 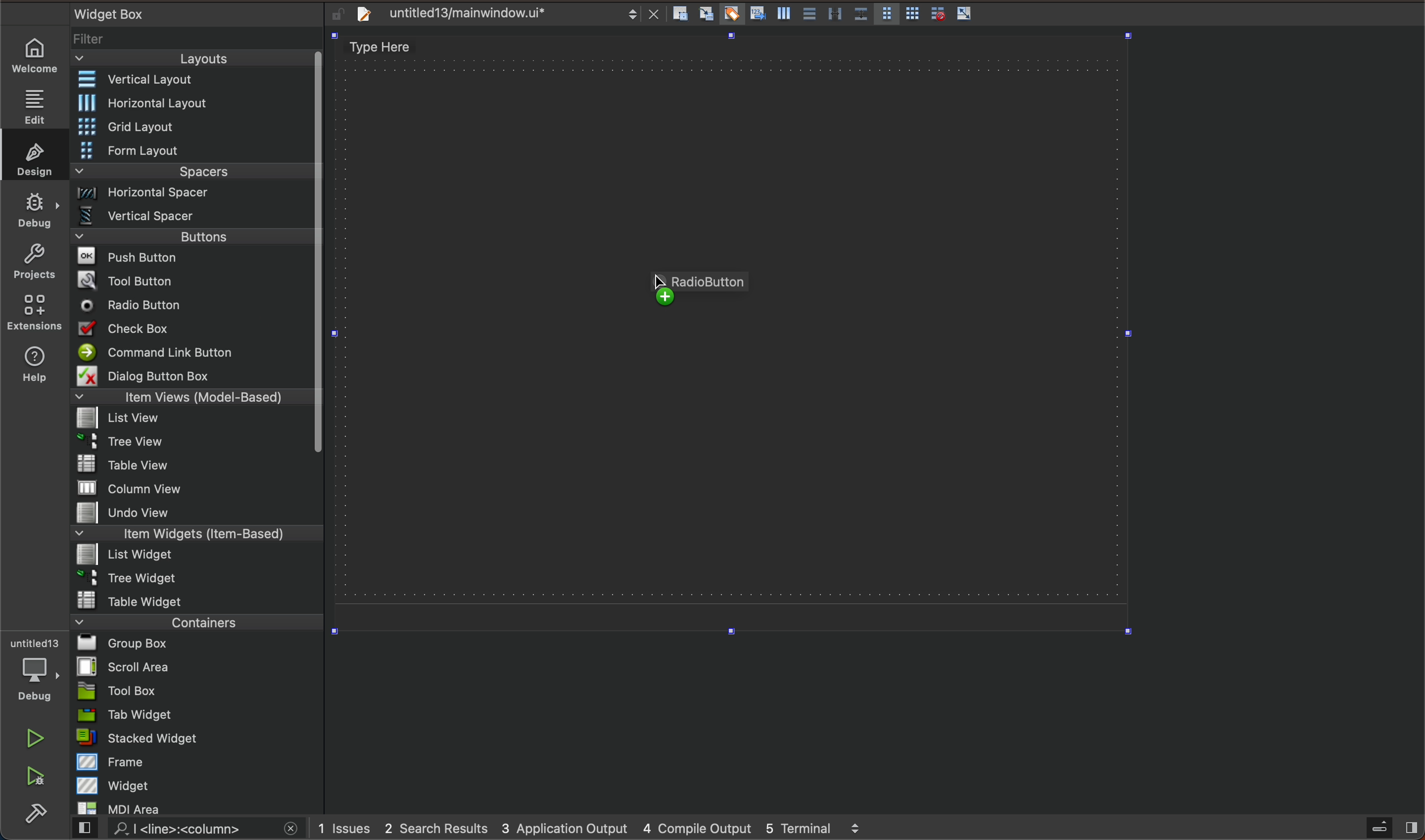 What do you see at coordinates (195, 196) in the screenshot?
I see `` at bounding box center [195, 196].